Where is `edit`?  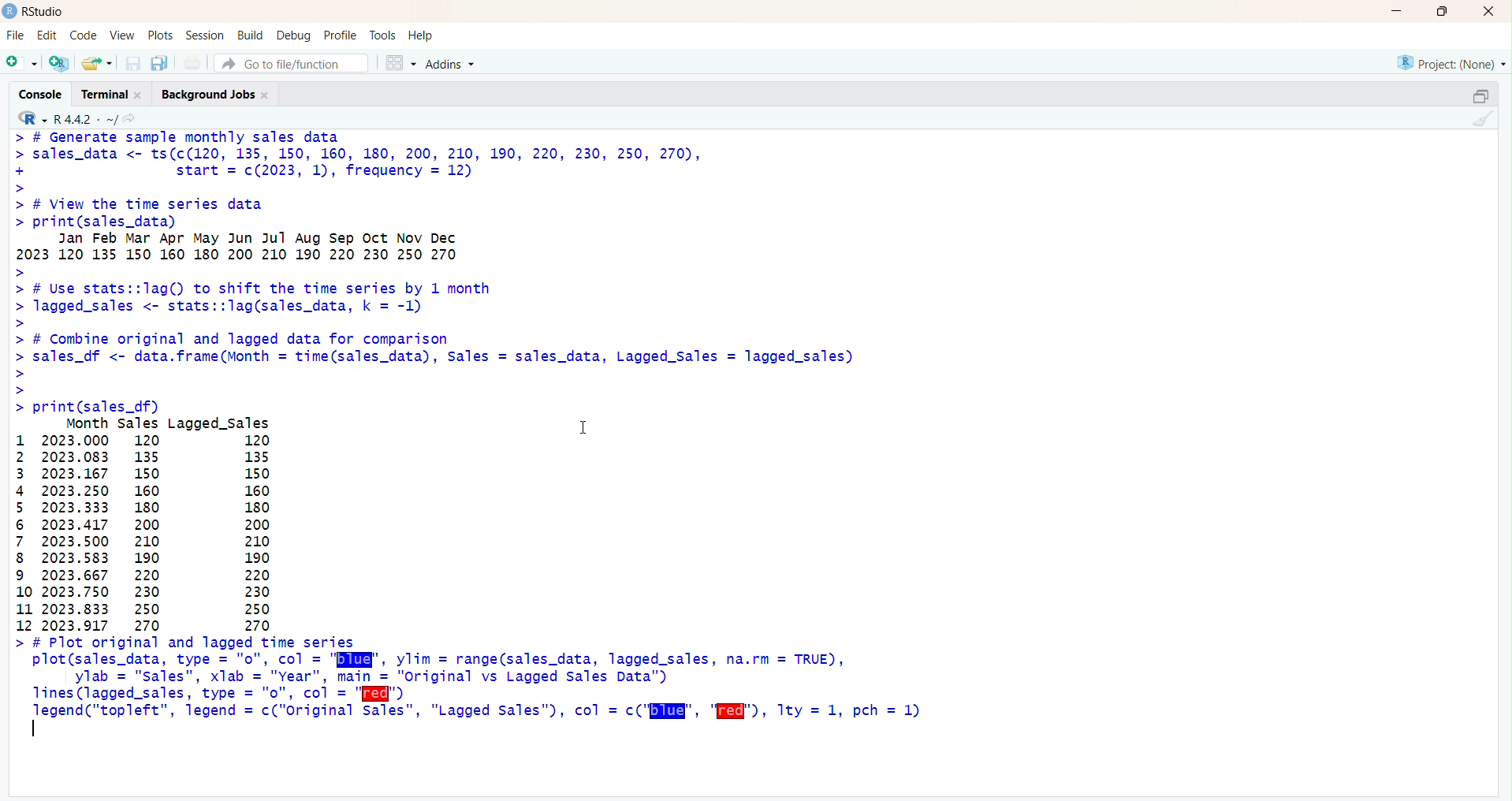 edit is located at coordinates (47, 35).